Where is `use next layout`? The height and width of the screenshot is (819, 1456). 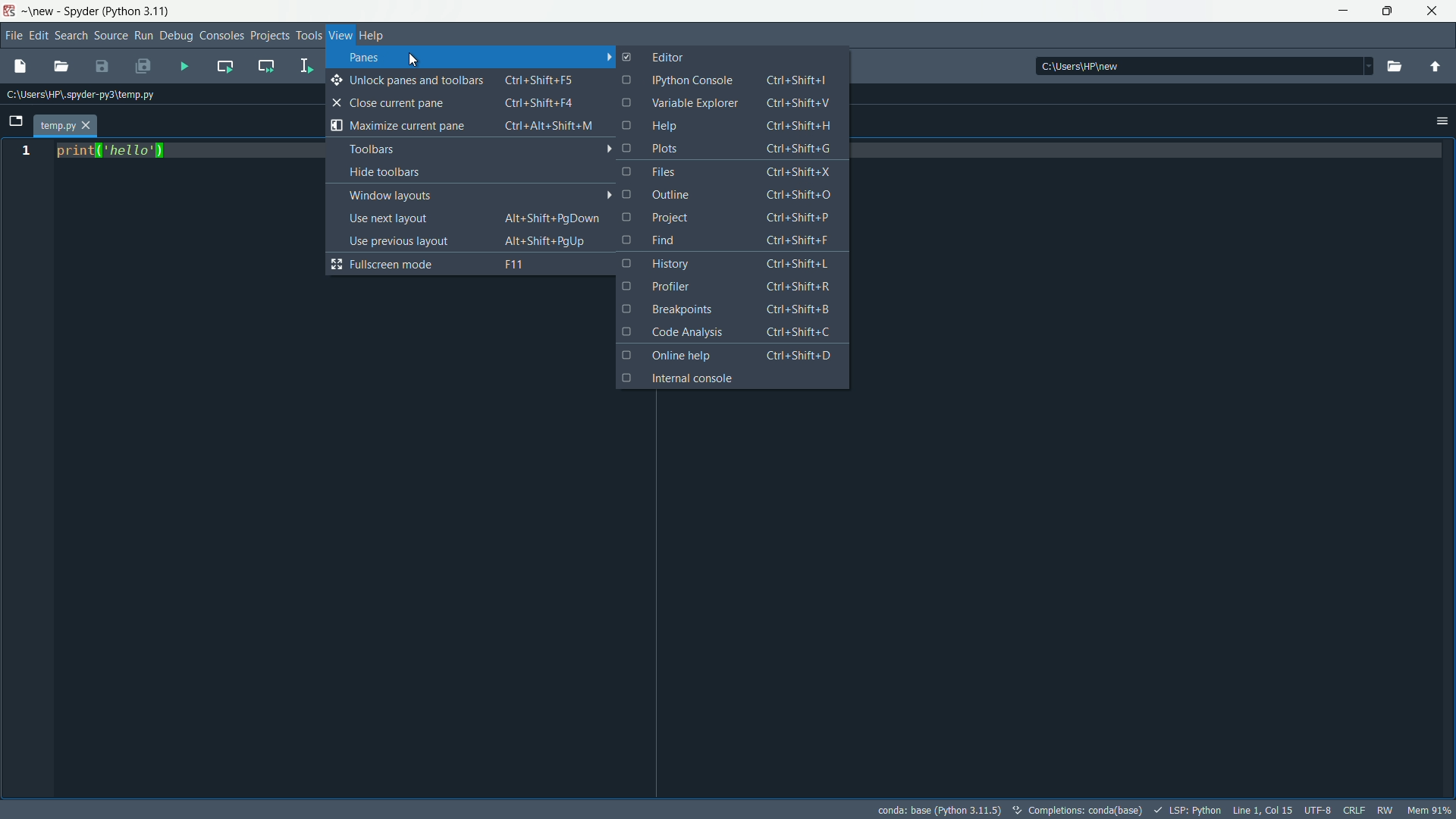 use next layout is located at coordinates (476, 218).